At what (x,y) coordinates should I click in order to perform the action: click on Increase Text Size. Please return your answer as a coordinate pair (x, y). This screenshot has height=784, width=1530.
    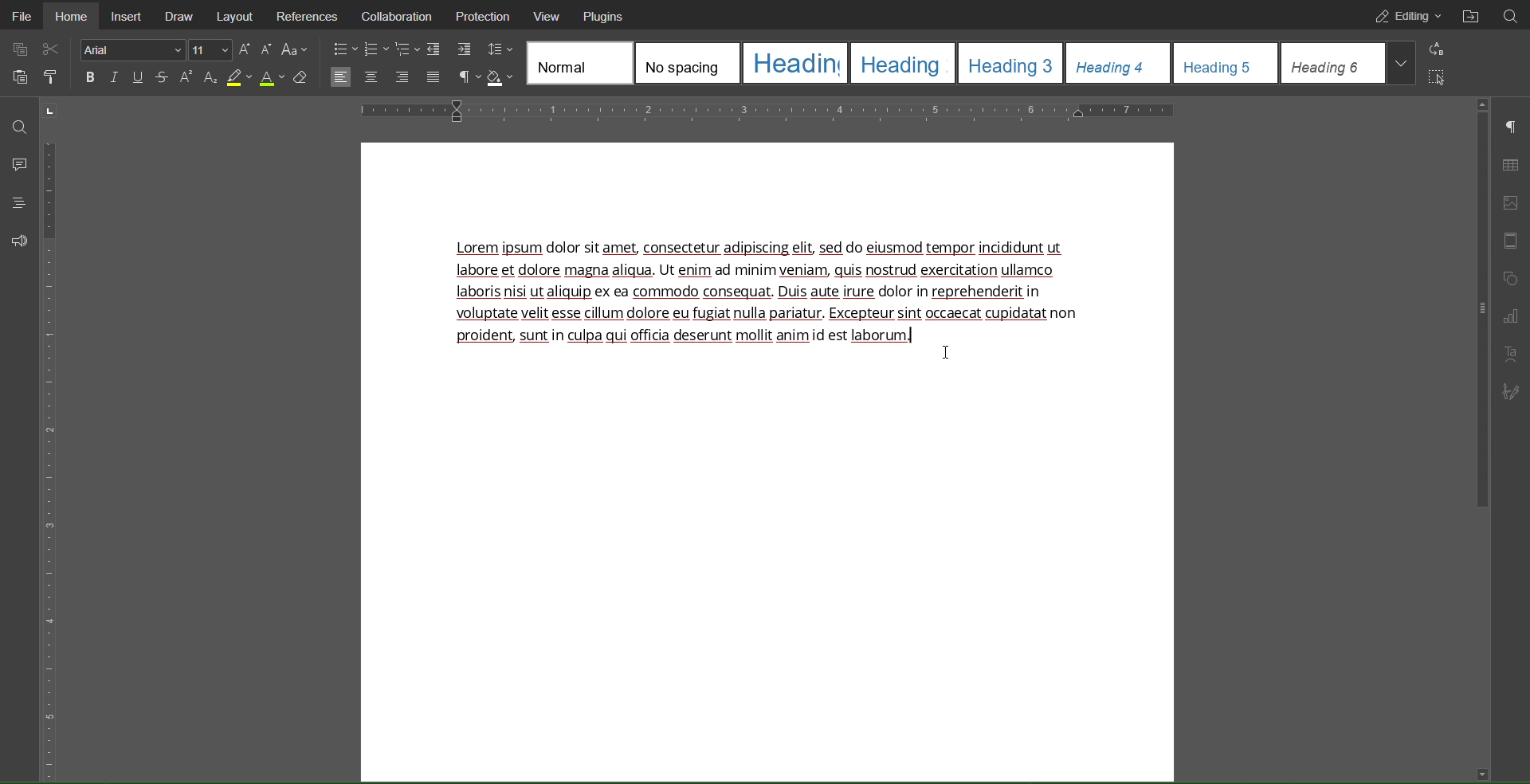
    Looking at the image, I should click on (246, 49).